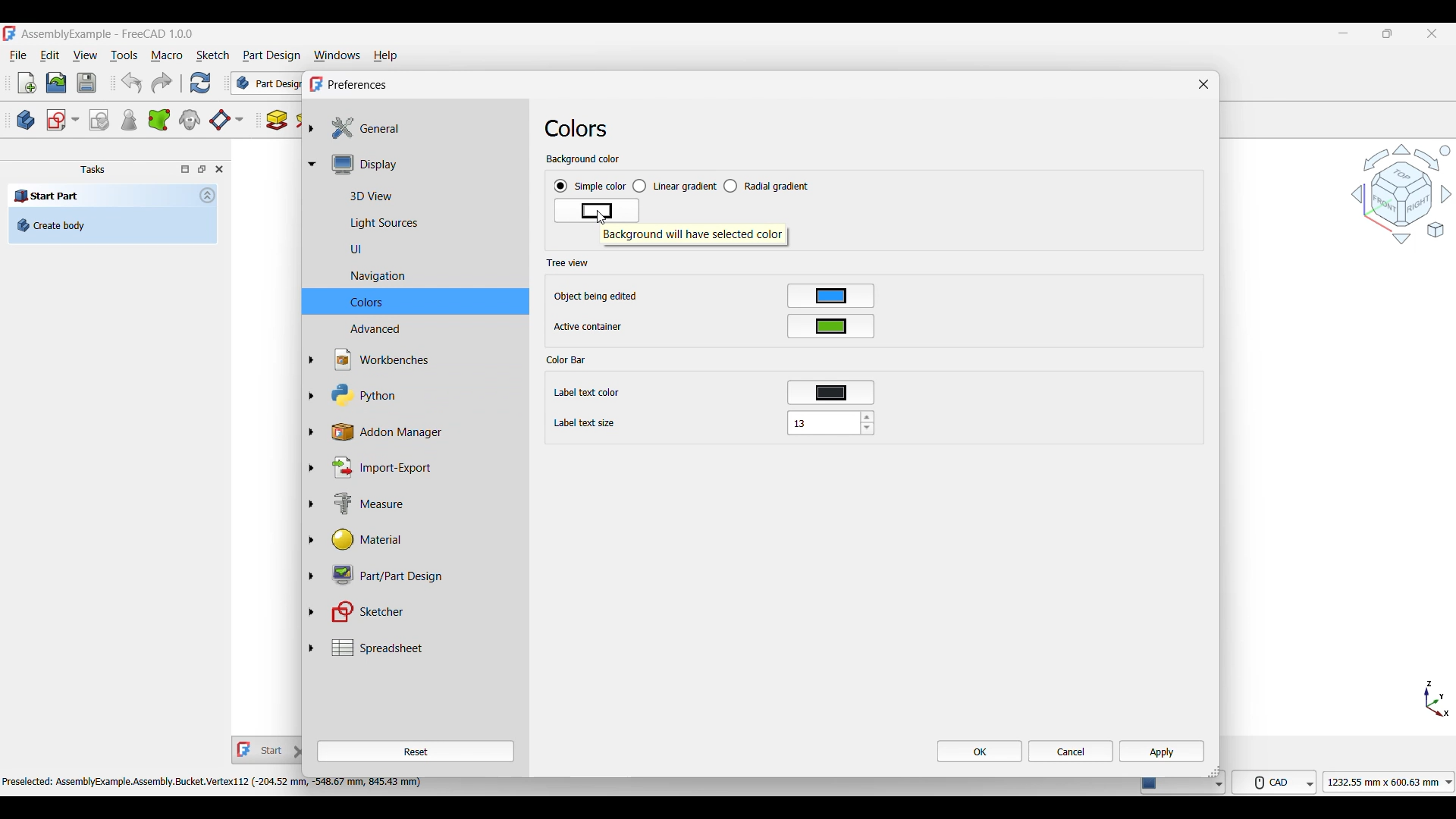  I want to click on Create a sub-object shape binder, so click(159, 120).